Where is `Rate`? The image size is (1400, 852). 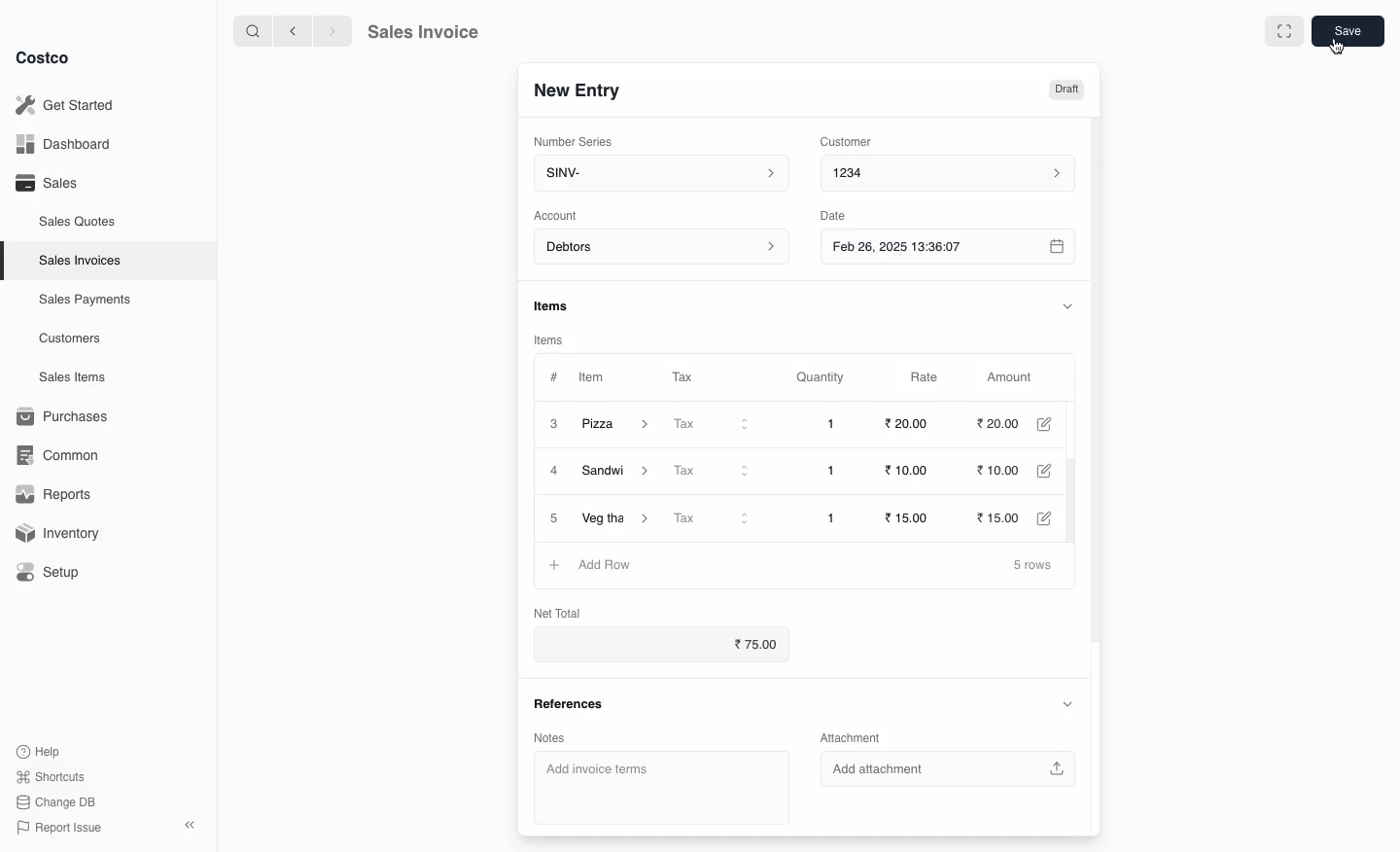 Rate is located at coordinates (927, 377).